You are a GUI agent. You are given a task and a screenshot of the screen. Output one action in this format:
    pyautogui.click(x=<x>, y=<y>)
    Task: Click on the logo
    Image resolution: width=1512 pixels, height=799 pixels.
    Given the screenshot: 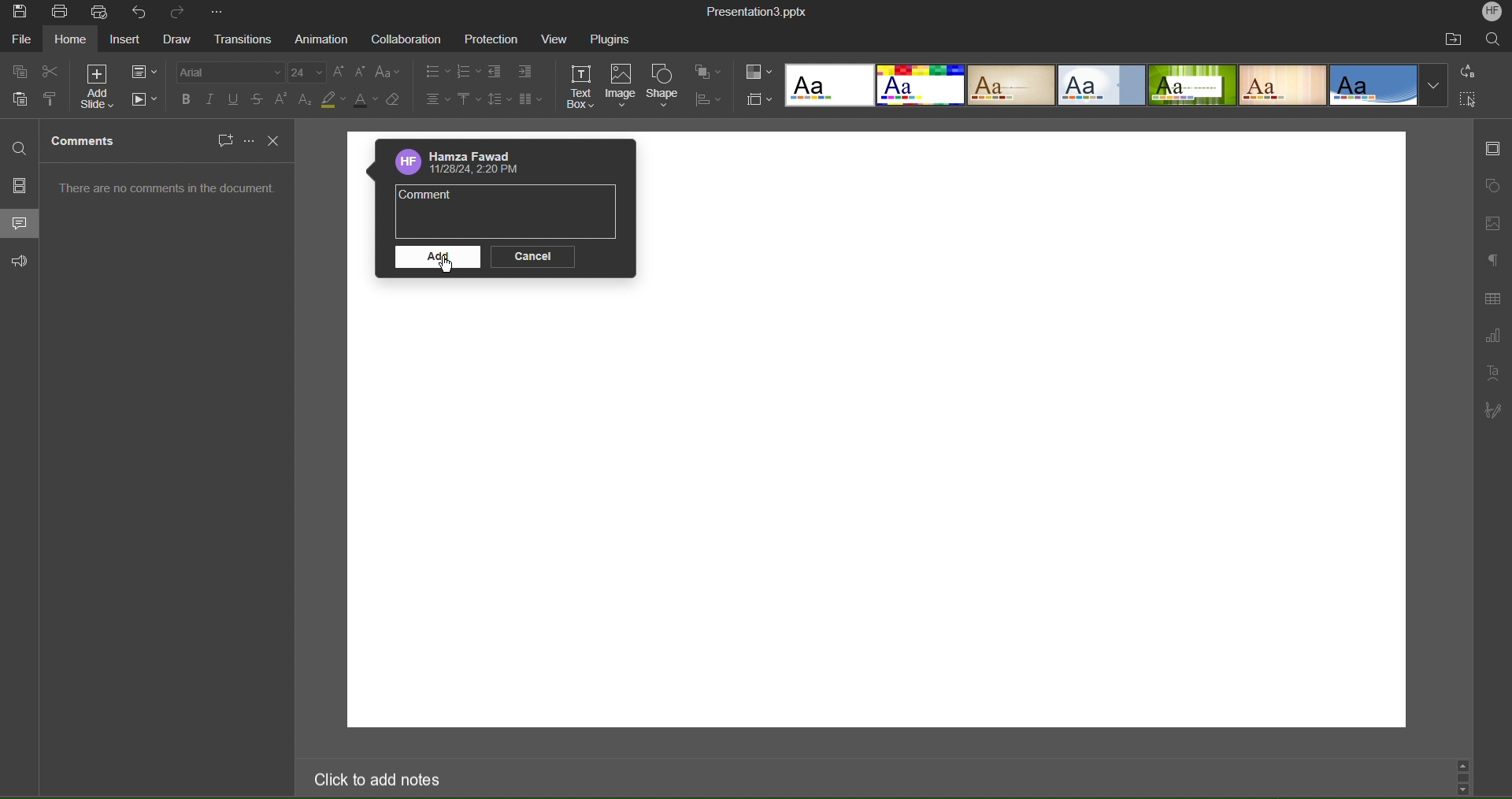 What is the action you would take?
    pyautogui.click(x=406, y=162)
    